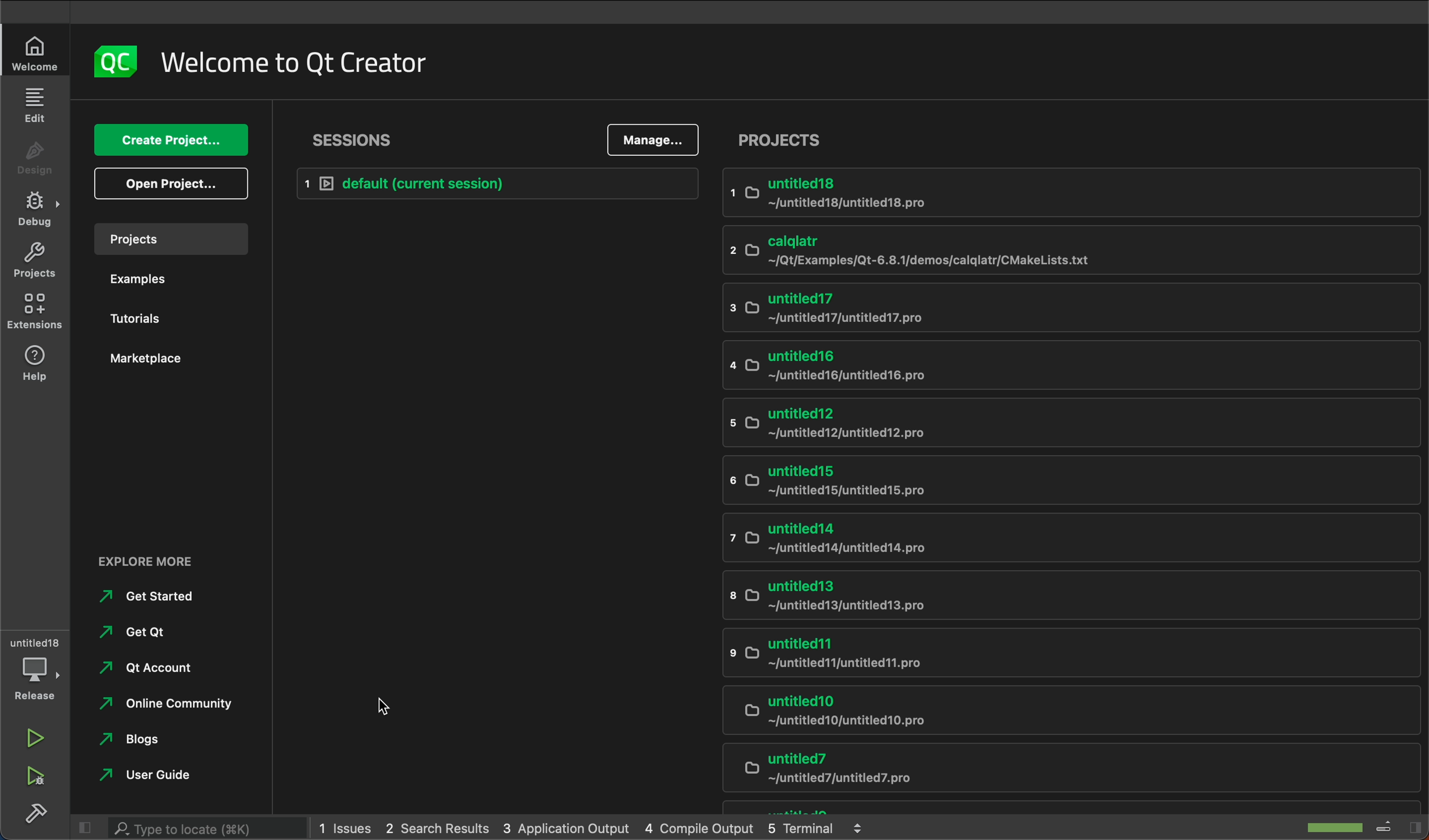  What do you see at coordinates (115, 60) in the screenshot?
I see `logo` at bounding box center [115, 60].